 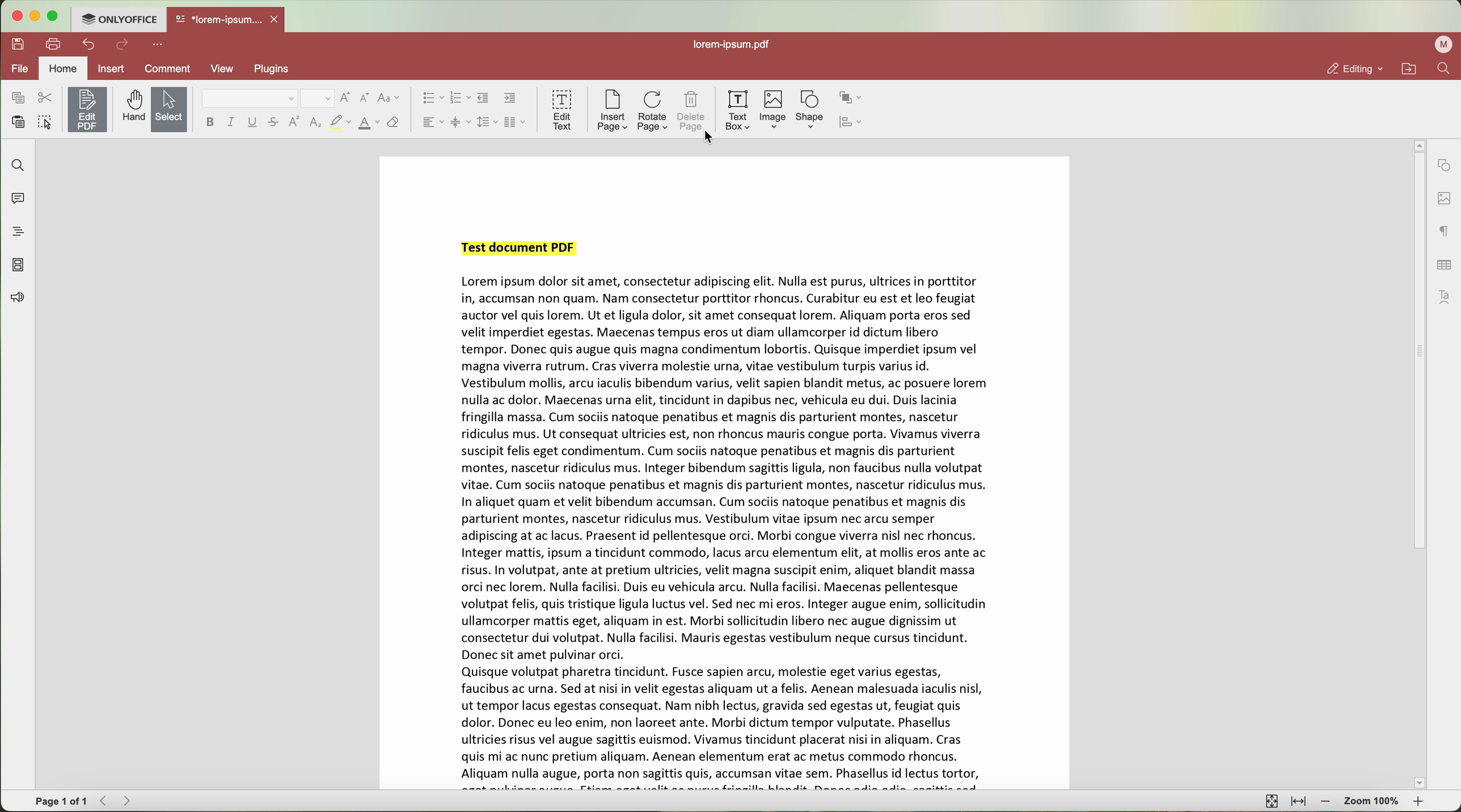 I want to click on change case, so click(x=391, y=100).